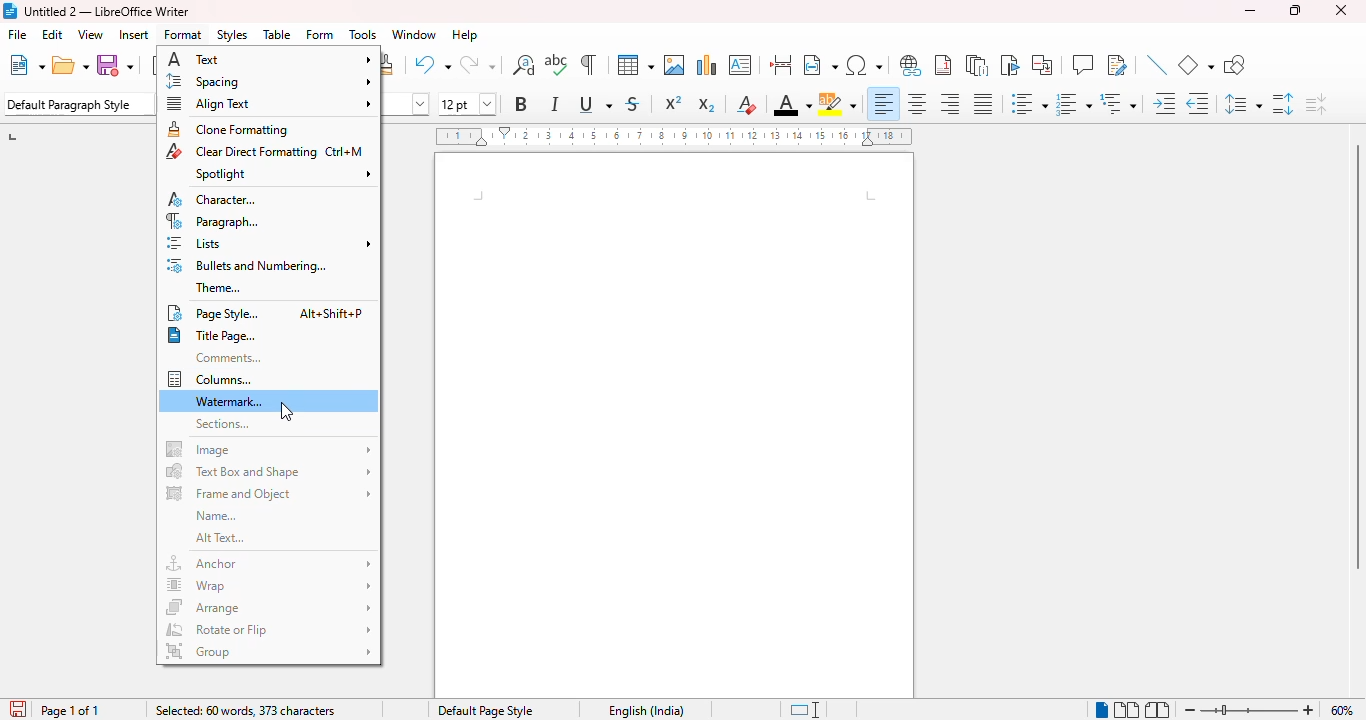 This screenshot has height=720, width=1366. What do you see at coordinates (1235, 65) in the screenshot?
I see `show draw functions` at bounding box center [1235, 65].